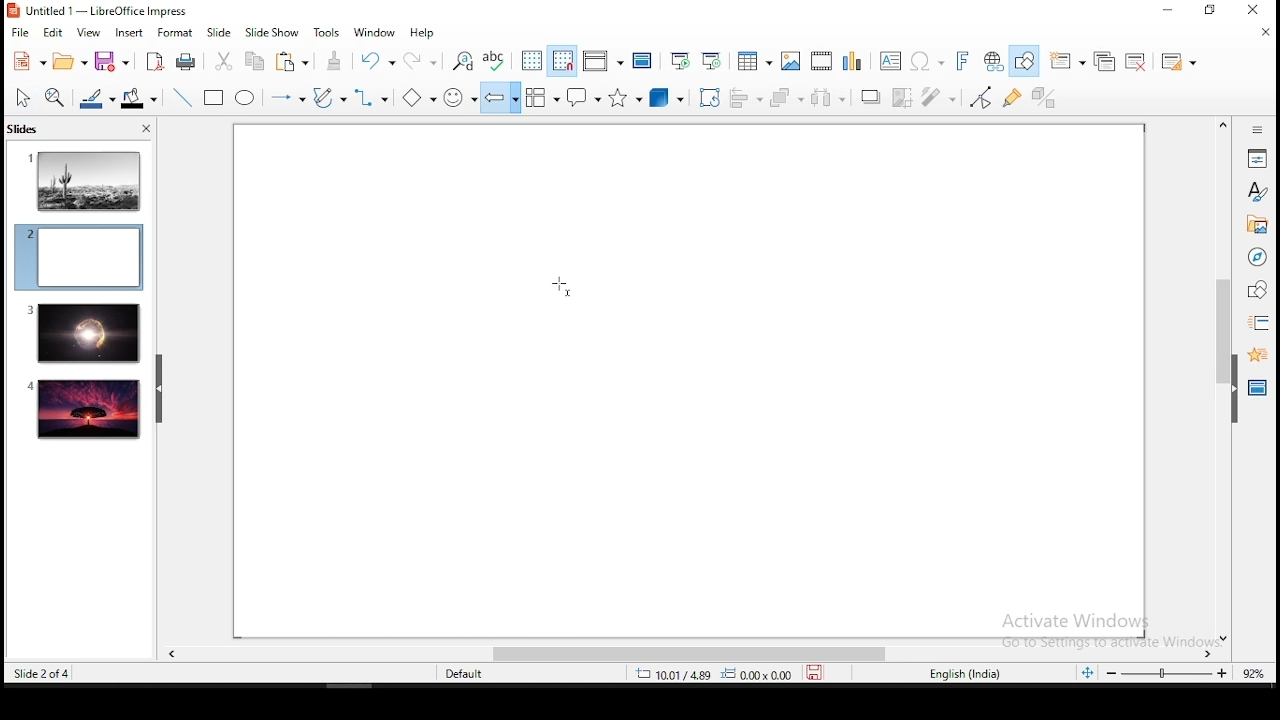  Describe the element at coordinates (1087, 674) in the screenshot. I see `fit to screen` at that location.